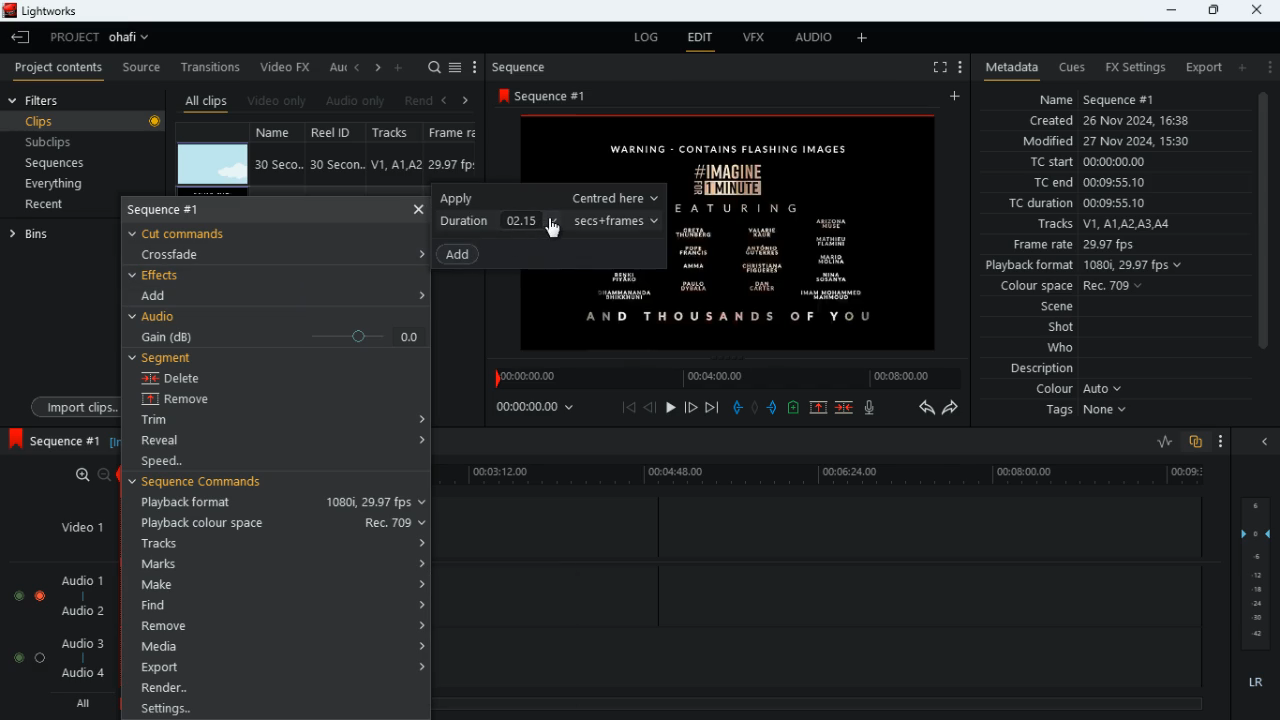 The image size is (1280, 720). What do you see at coordinates (338, 132) in the screenshot?
I see `real id` at bounding box center [338, 132].